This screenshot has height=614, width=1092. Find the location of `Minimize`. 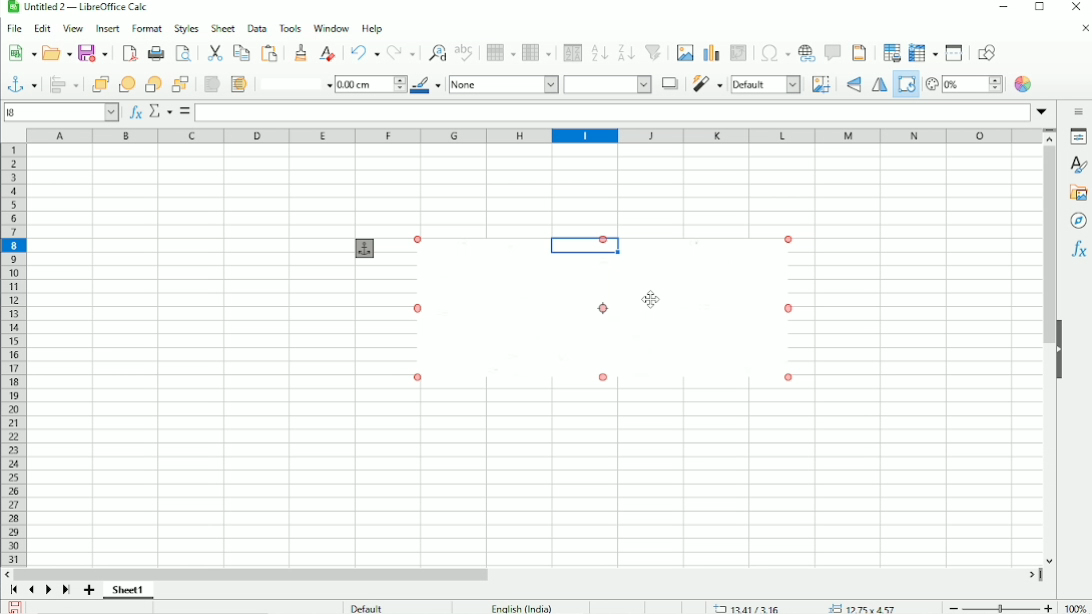

Minimize is located at coordinates (1001, 6).